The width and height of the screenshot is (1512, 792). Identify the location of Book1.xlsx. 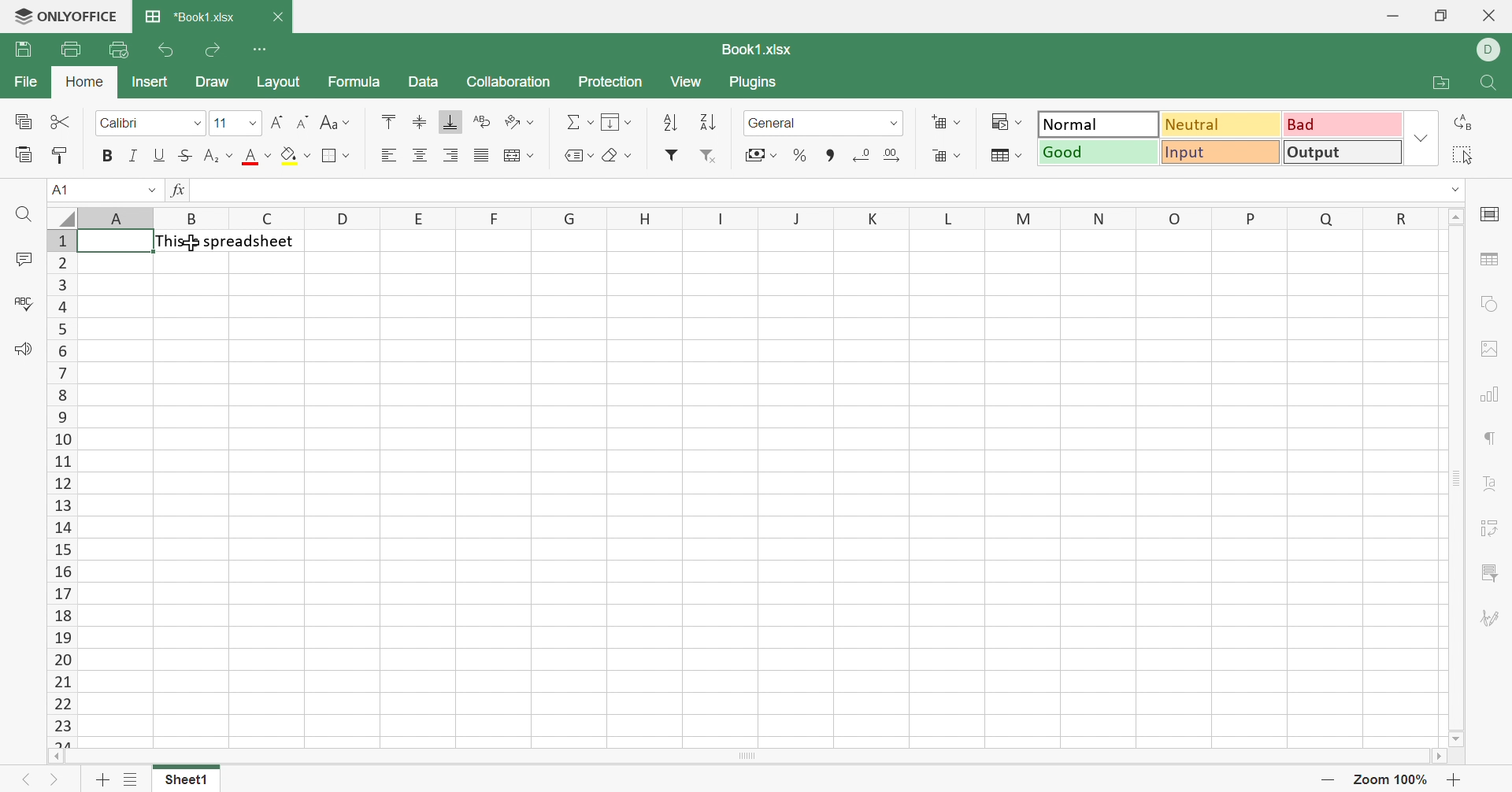
(754, 49).